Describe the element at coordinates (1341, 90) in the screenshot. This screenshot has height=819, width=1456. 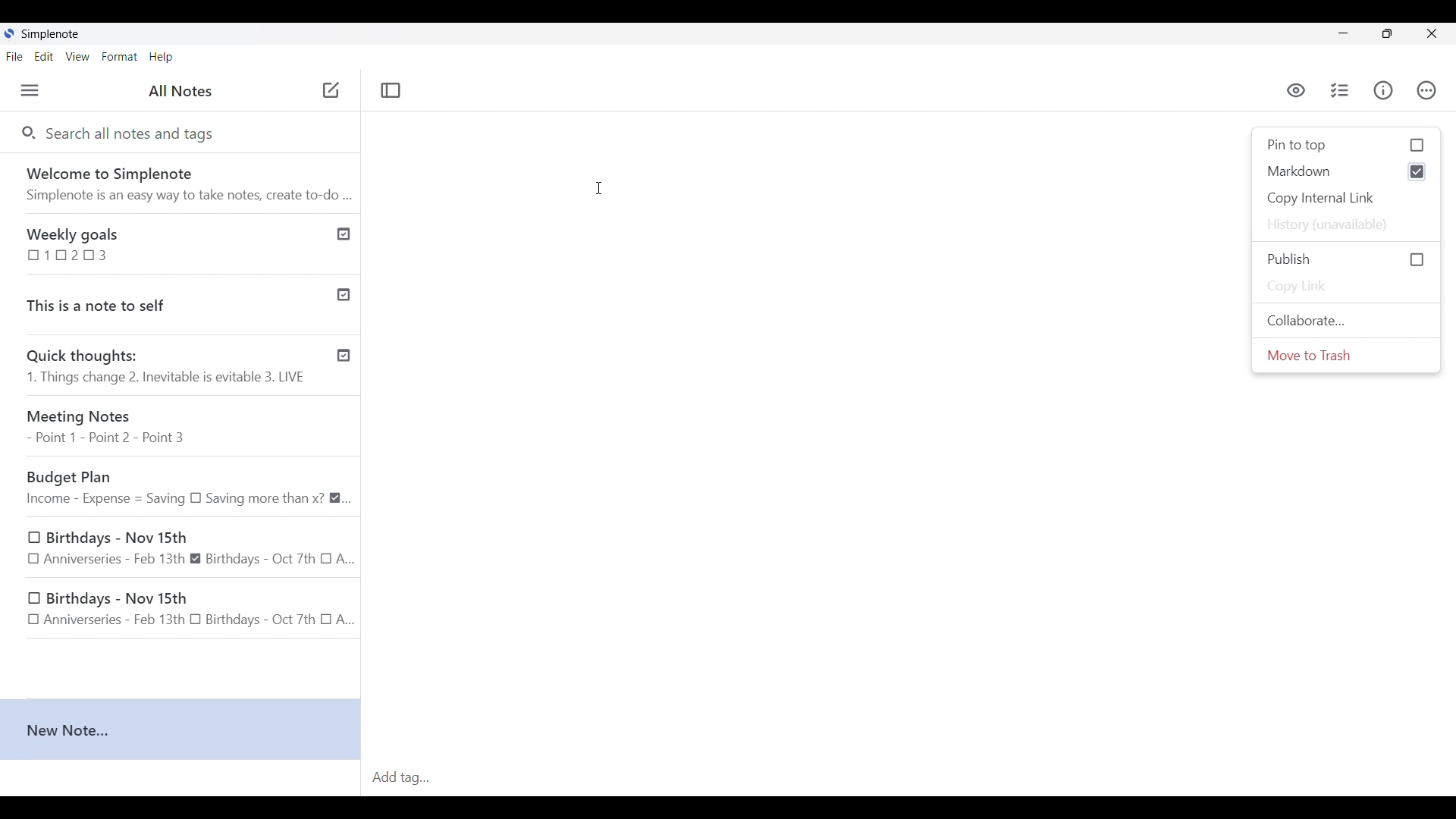
I see `Insert checklist` at that location.